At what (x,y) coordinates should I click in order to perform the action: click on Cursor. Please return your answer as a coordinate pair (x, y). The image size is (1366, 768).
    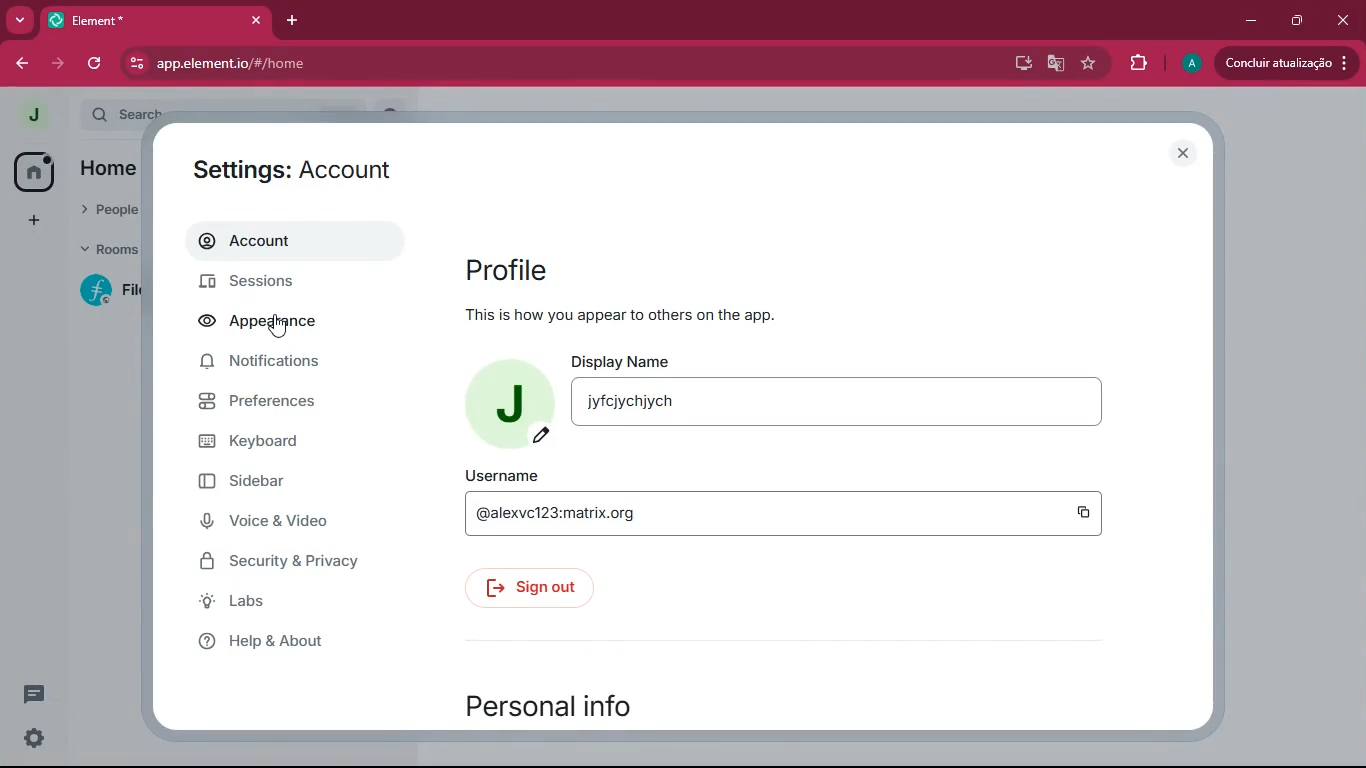
    Looking at the image, I should click on (277, 326).